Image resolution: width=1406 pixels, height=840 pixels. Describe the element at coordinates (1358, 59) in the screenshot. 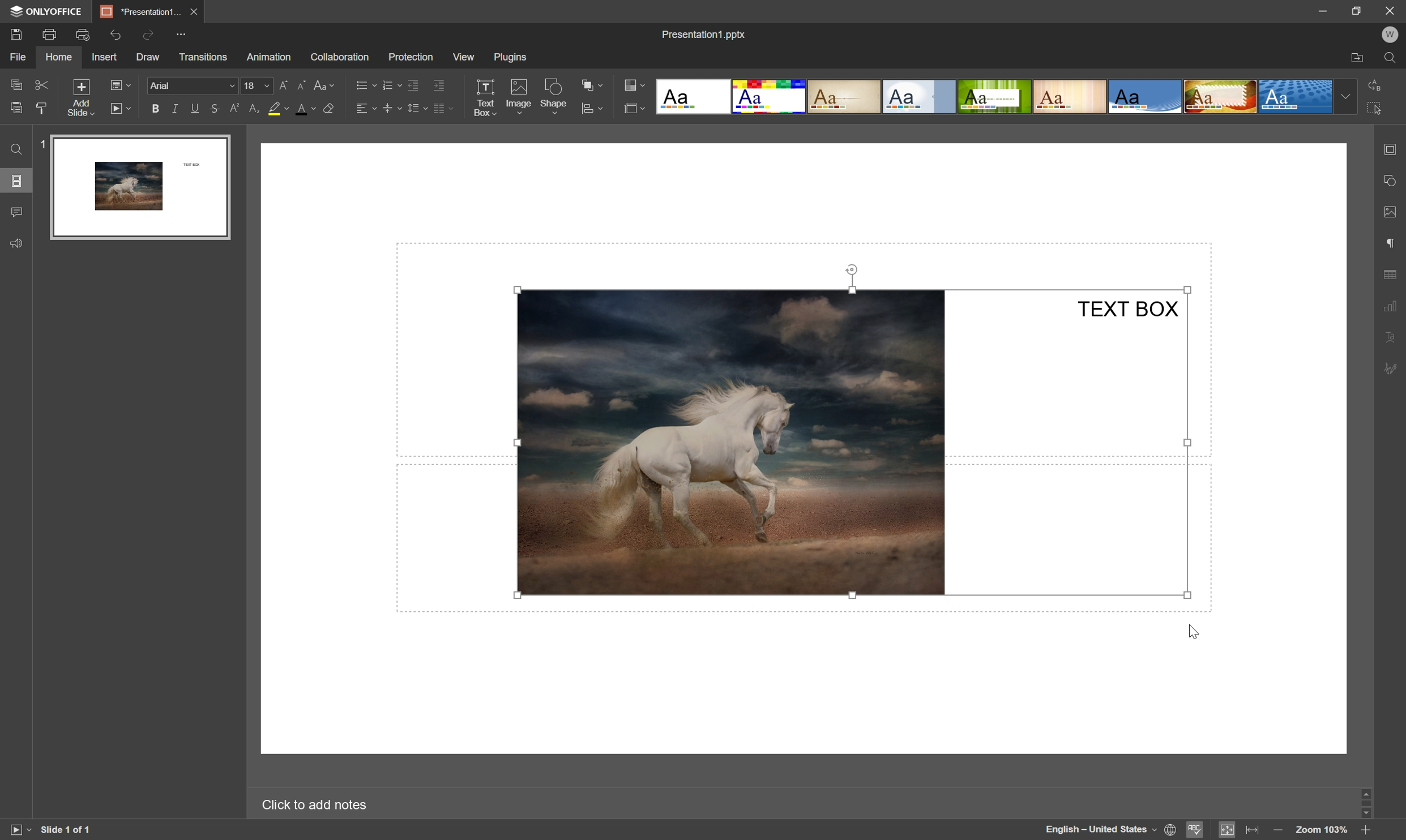

I see `open file location` at that location.